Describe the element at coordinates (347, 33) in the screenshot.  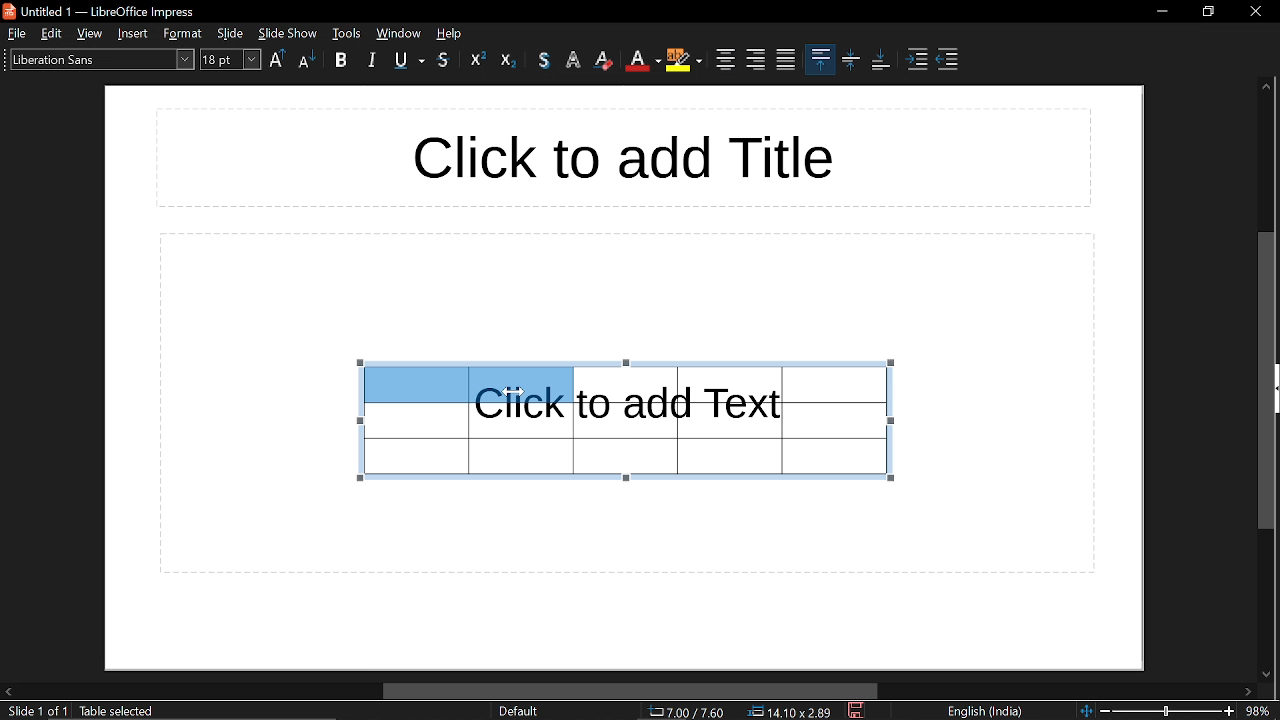
I see `window` at that location.